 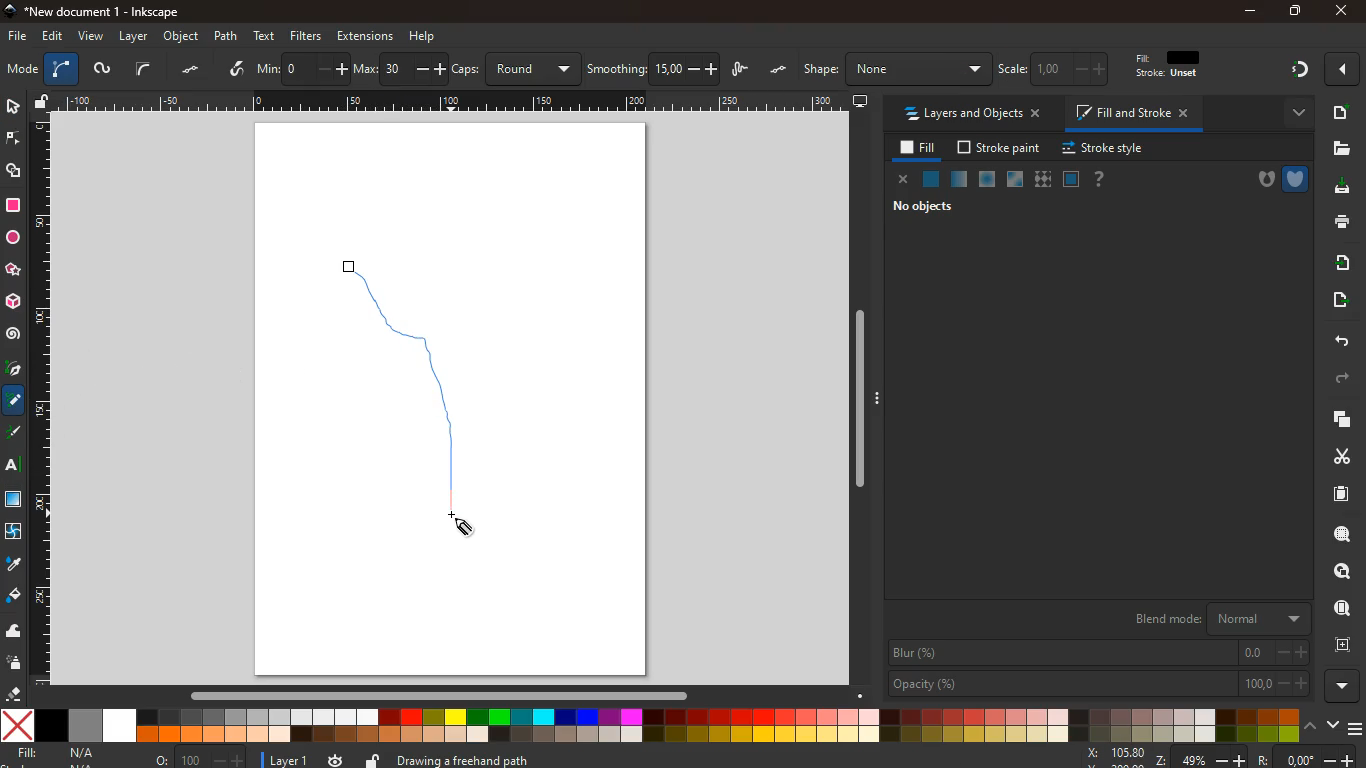 What do you see at coordinates (15, 400) in the screenshot?
I see `pencil took` at bounding box center [15, 400].